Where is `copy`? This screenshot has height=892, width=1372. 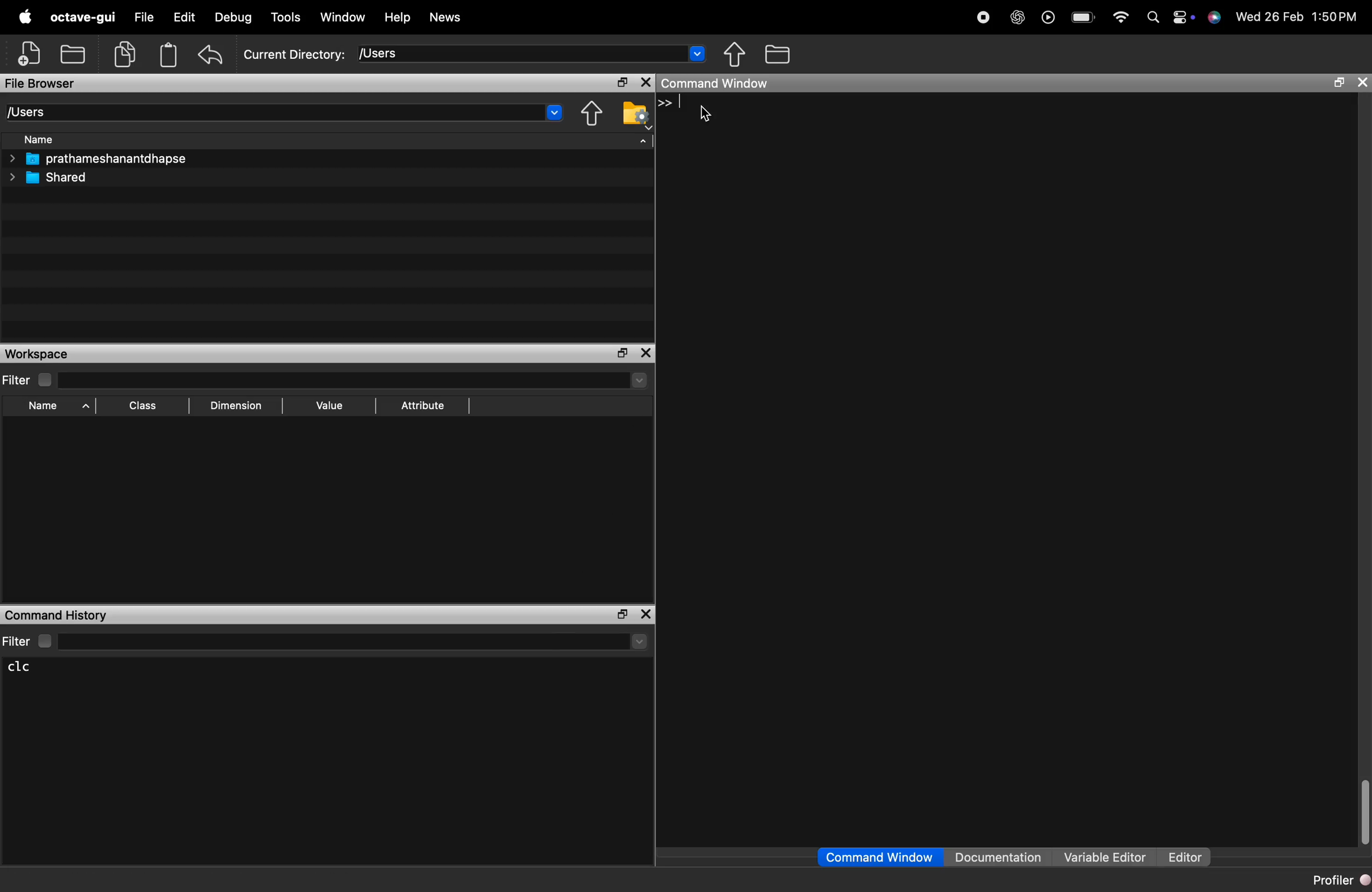 copy is located at coordinates (127, 55).